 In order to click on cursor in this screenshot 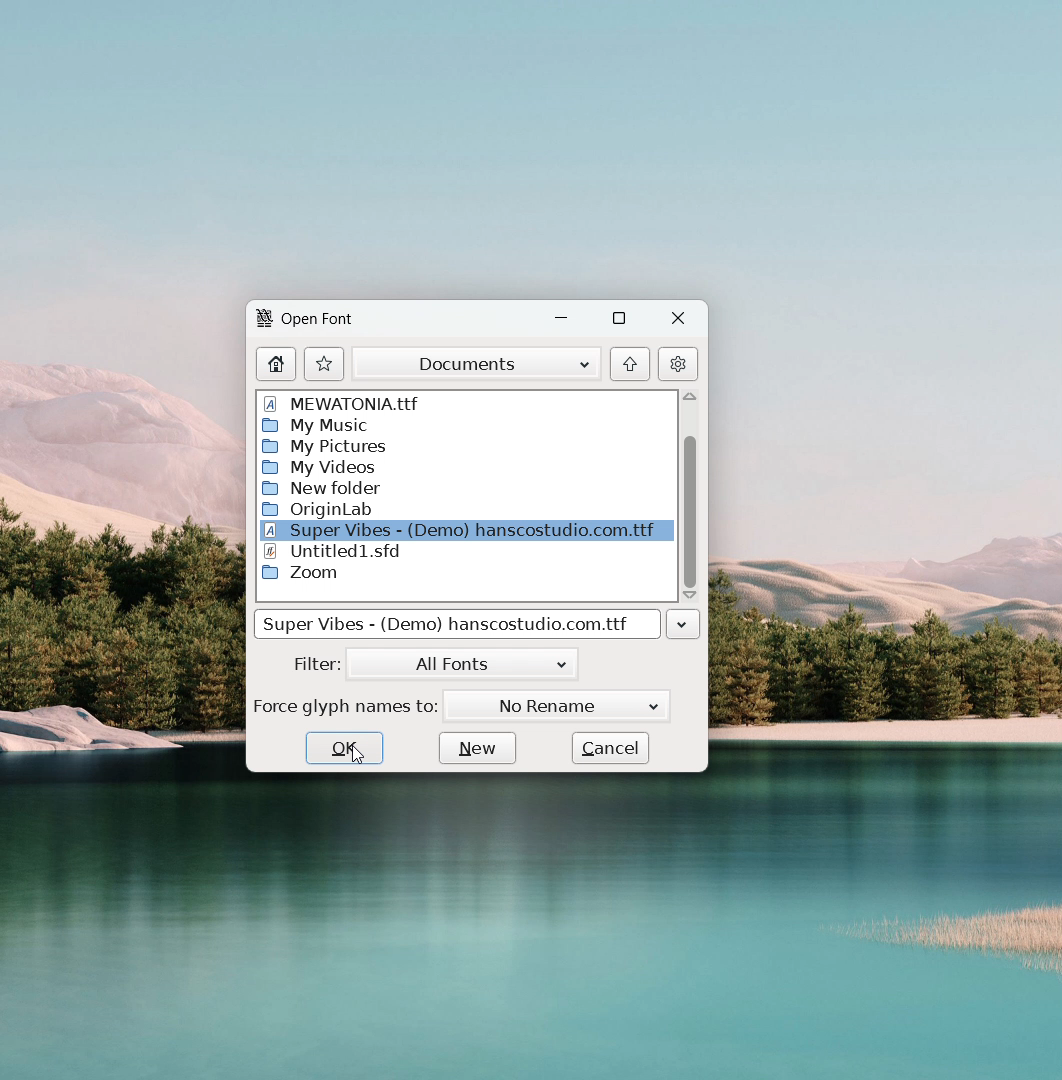, I will do `click(361, 755)`.